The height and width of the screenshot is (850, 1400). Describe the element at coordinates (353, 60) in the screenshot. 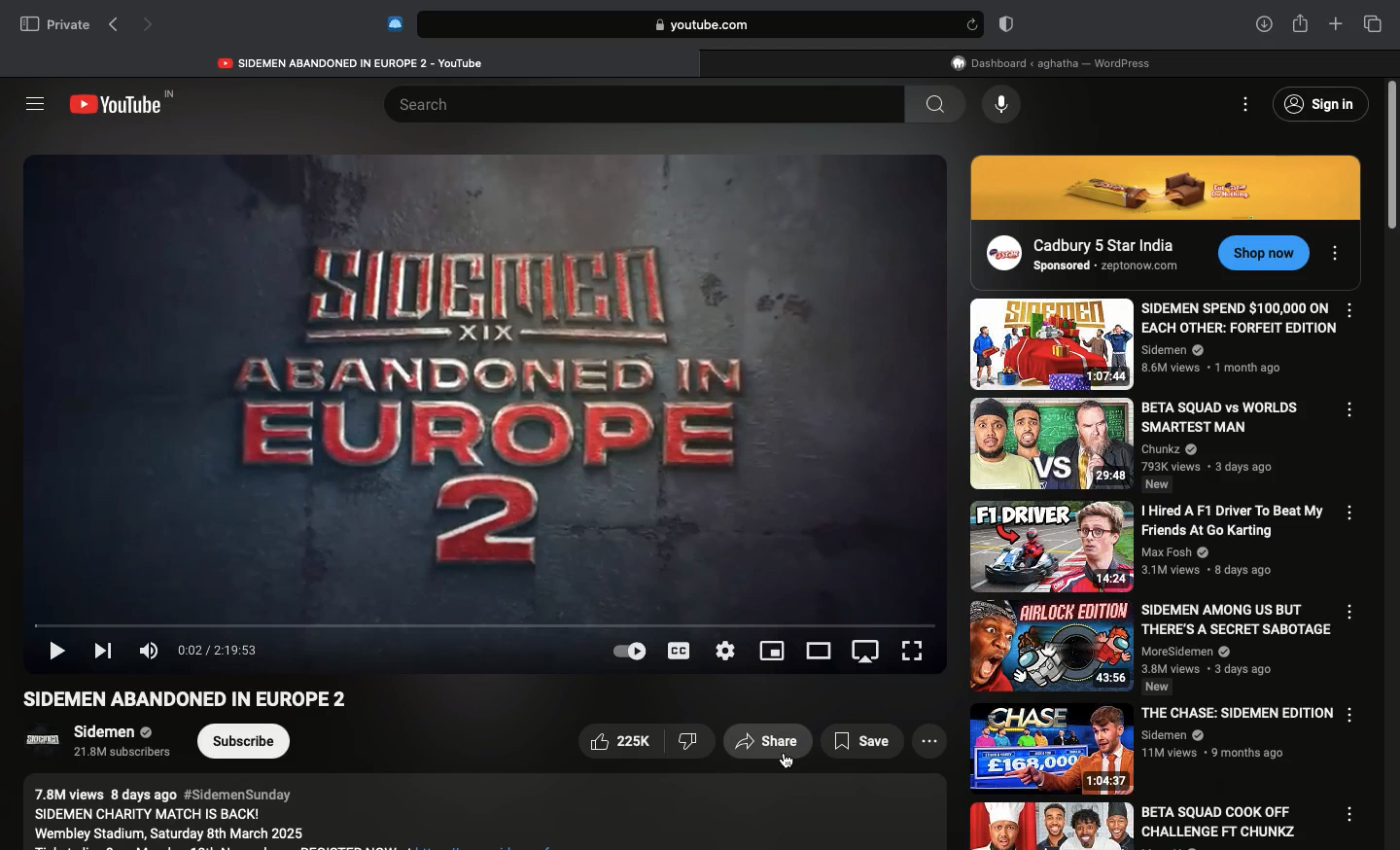

I see `Youtube` at that location.